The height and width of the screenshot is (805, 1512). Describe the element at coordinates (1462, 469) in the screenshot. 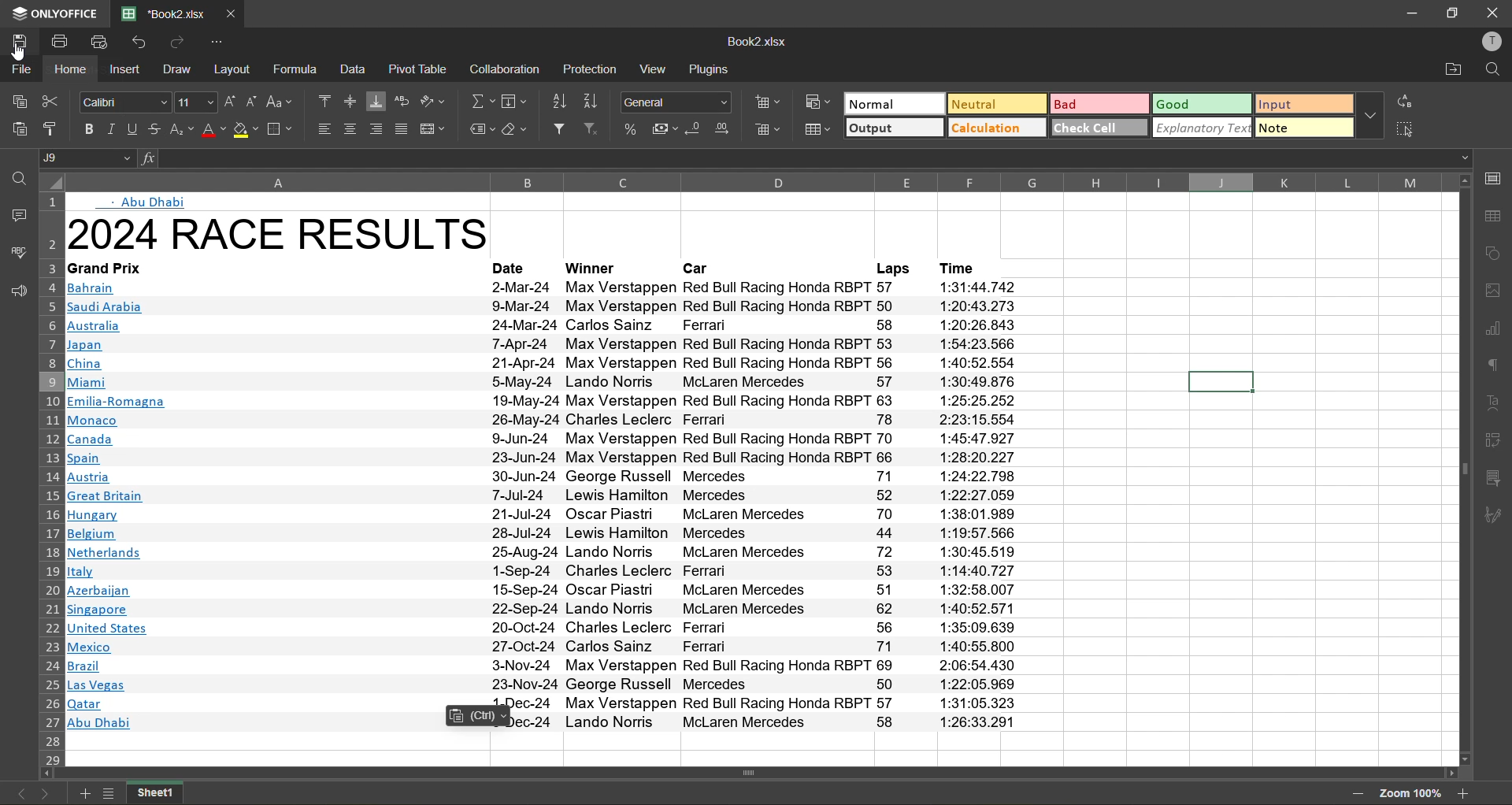

I see `vertical scrollbar` at that location.